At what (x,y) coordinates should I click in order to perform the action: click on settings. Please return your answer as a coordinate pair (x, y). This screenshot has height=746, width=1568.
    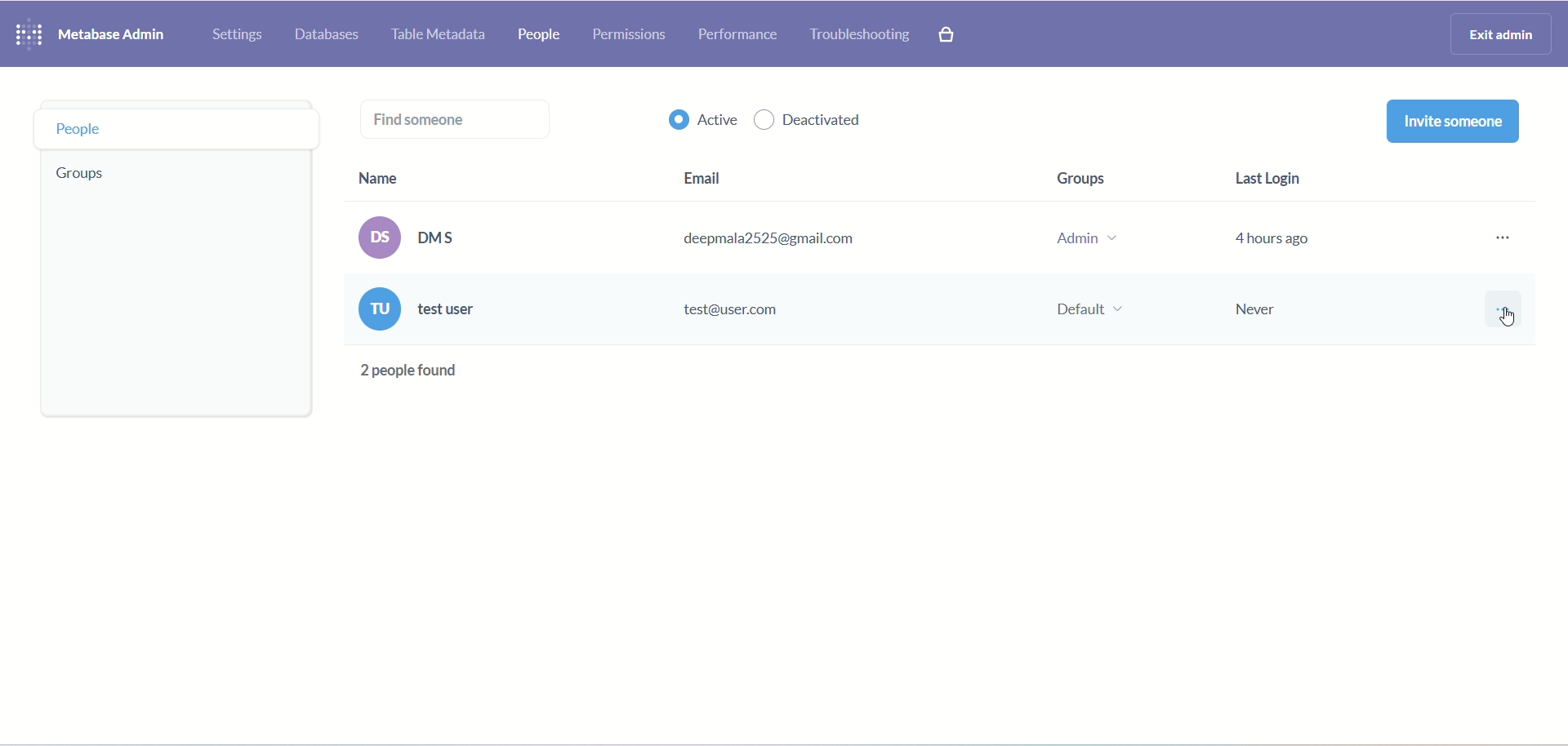
    Looking at the image, I should click on (236, 35).